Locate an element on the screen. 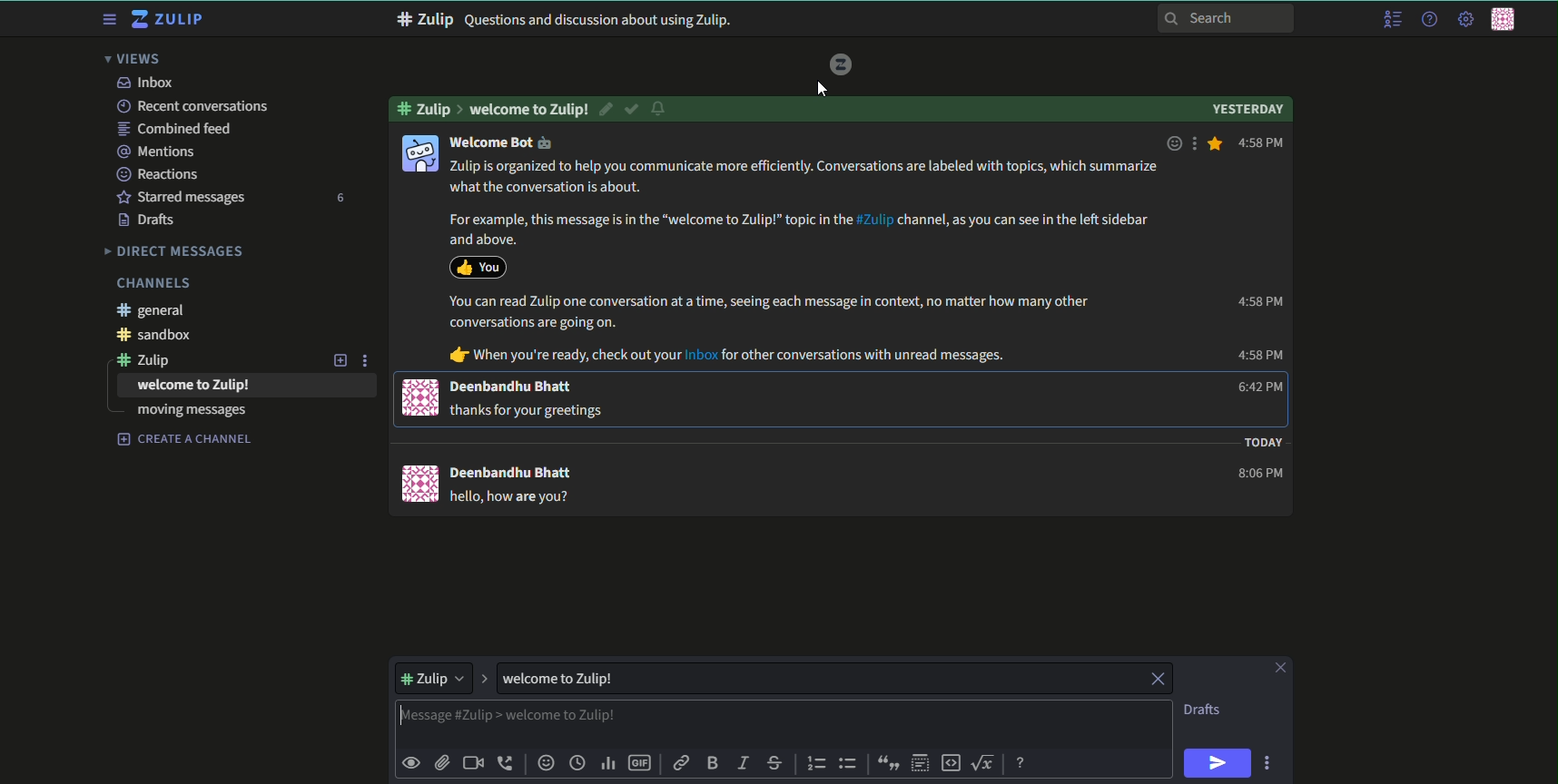 The height and width of the screenshot is (784, 1558). #zulip is located at coordinates (429, 109).